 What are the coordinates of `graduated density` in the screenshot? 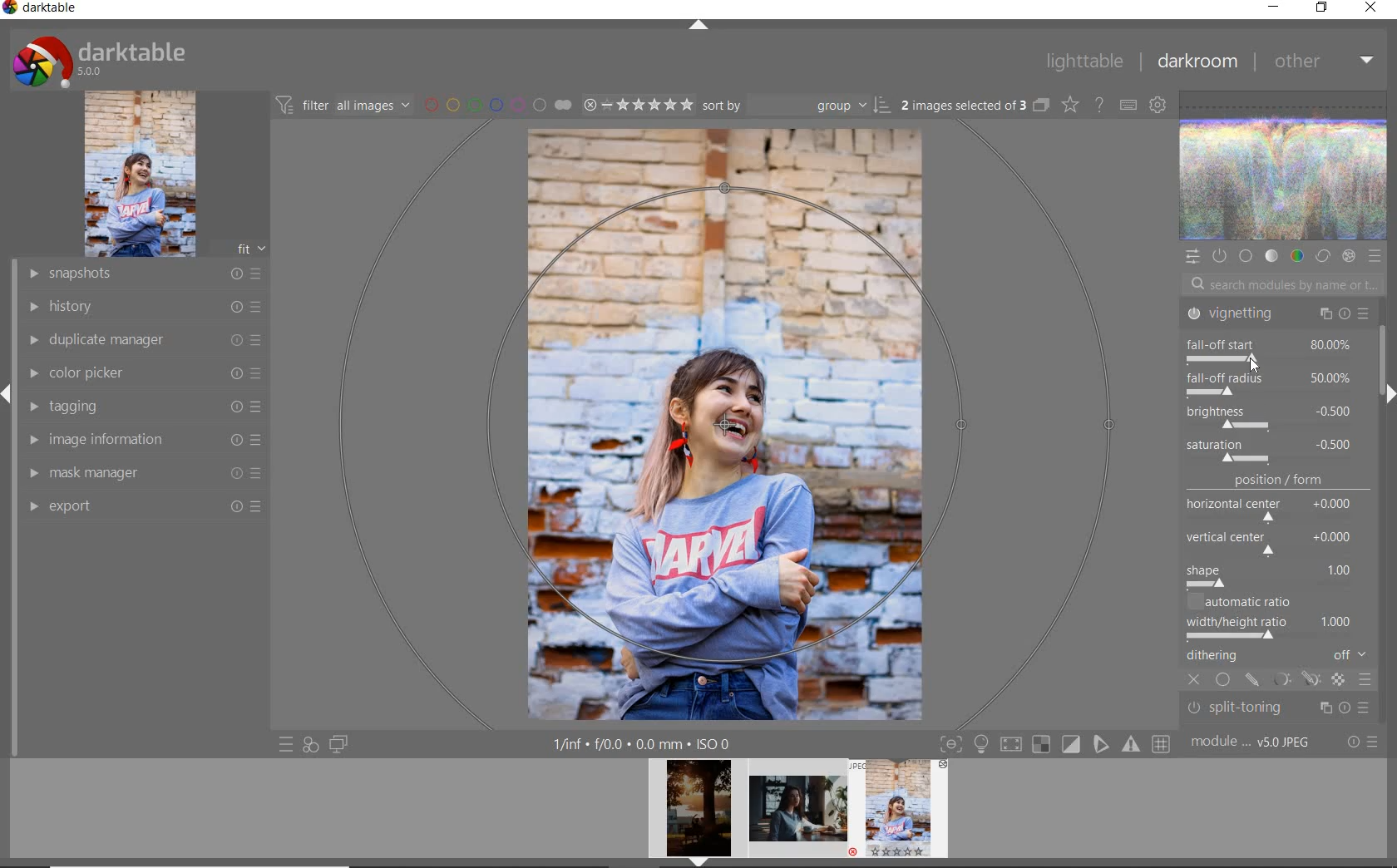 It's located at (1279, 318).